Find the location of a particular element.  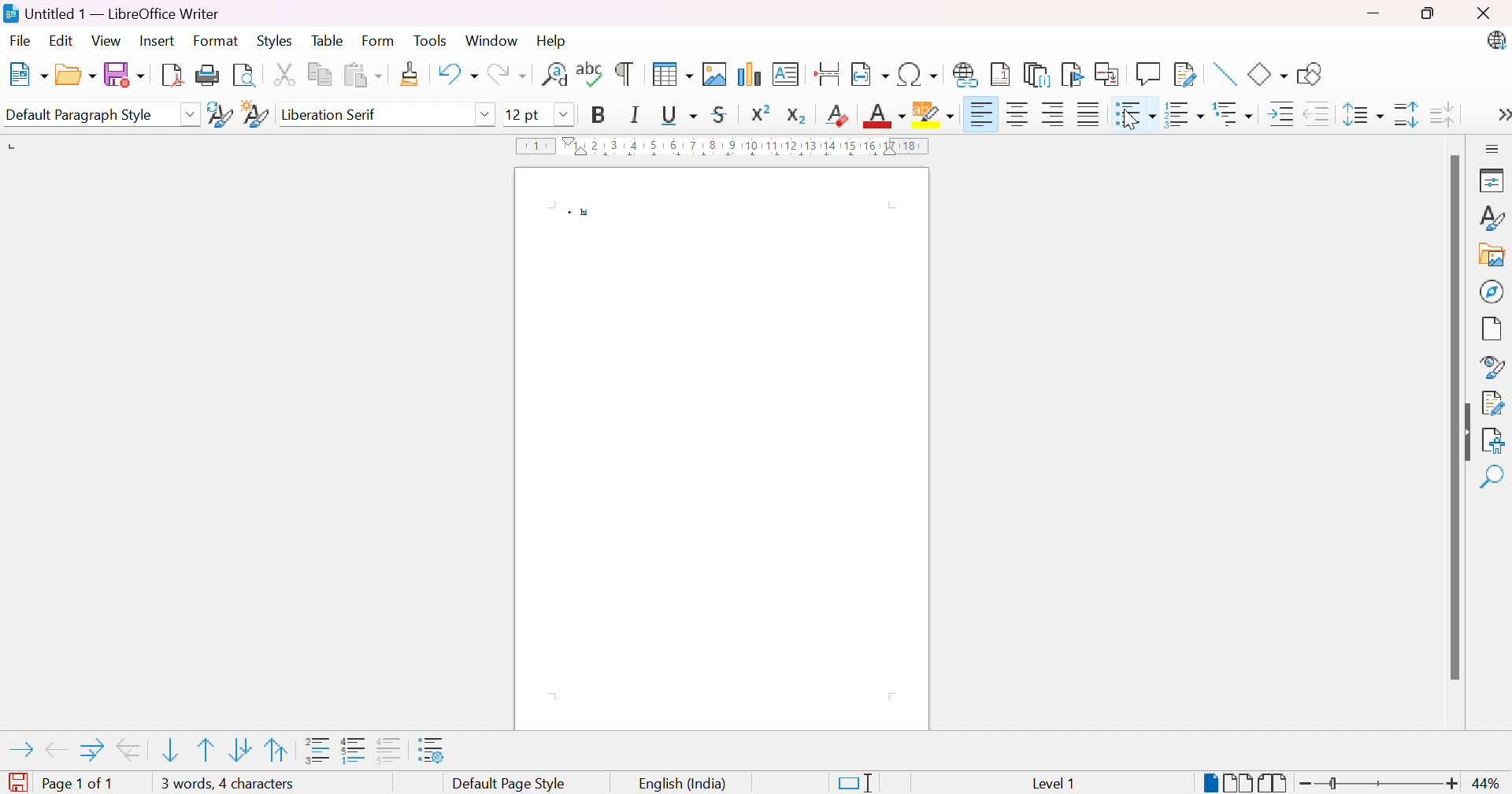

bulleted list is located at coordinates (1135, 116).